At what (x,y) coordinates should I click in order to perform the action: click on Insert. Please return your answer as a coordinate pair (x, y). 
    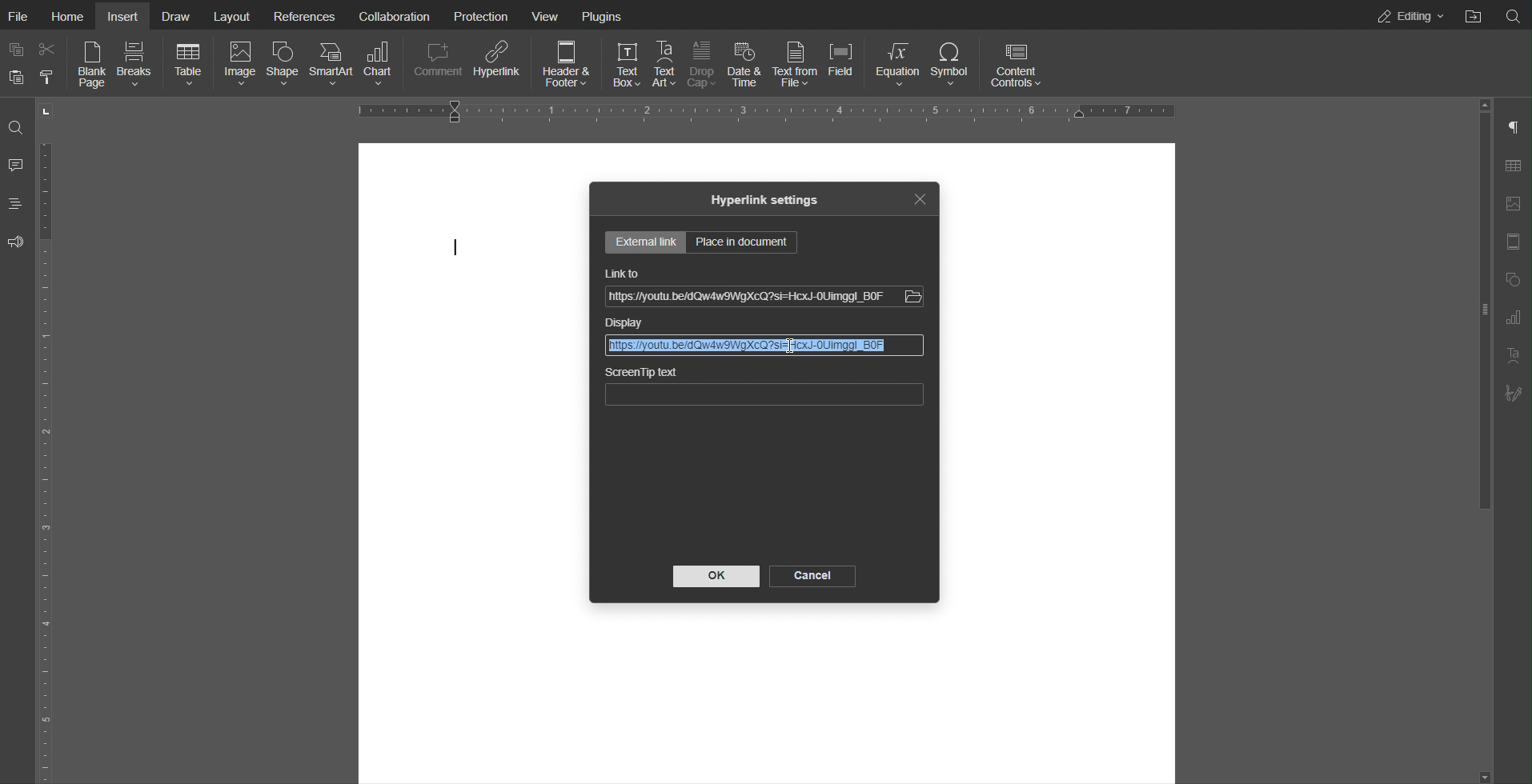
    Looking at the image, I should click on (126, 16).